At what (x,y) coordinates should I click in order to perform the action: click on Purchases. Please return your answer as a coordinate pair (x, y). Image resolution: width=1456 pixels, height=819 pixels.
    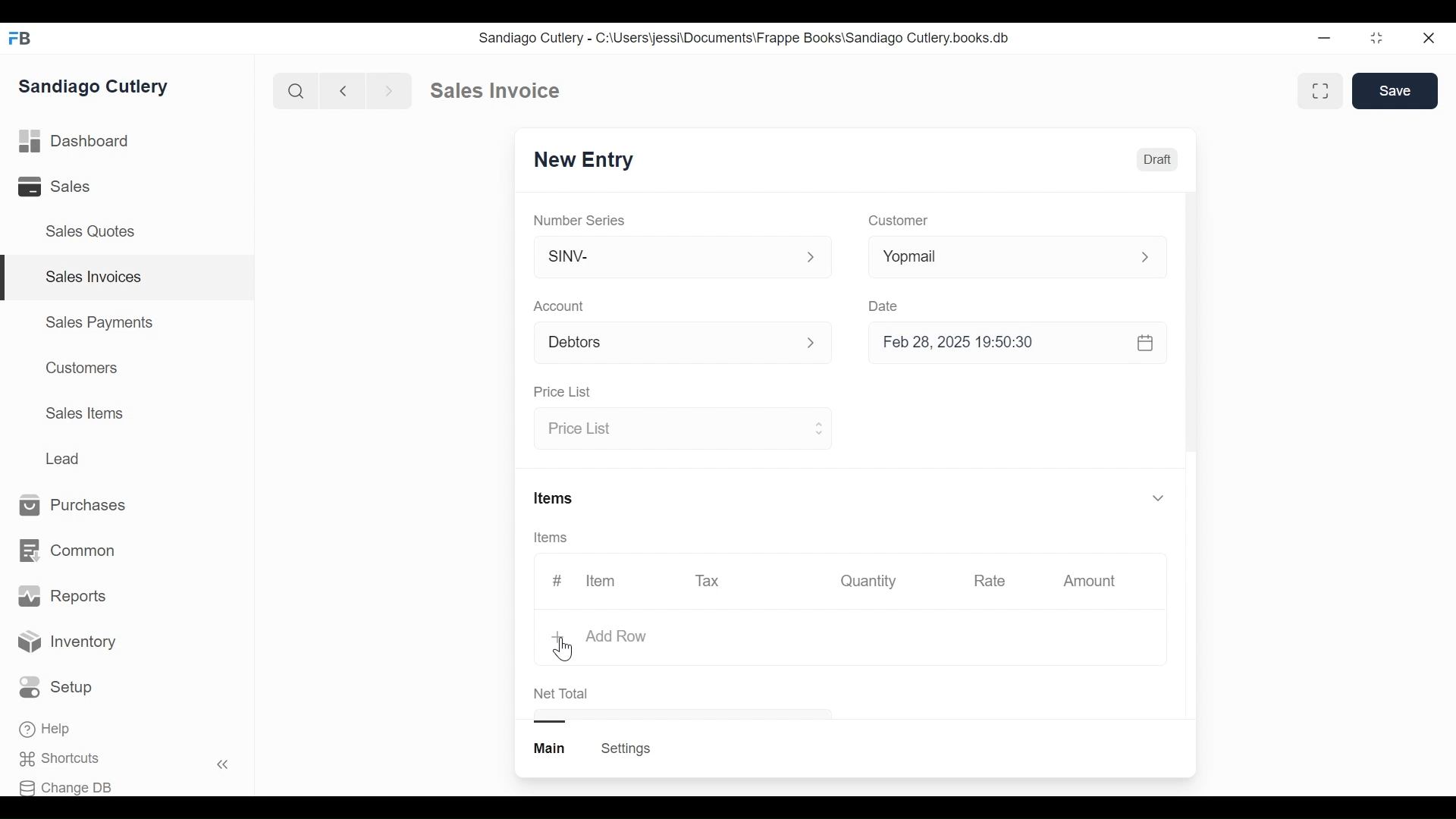
    Looking at the image, I should click on (80, 506).